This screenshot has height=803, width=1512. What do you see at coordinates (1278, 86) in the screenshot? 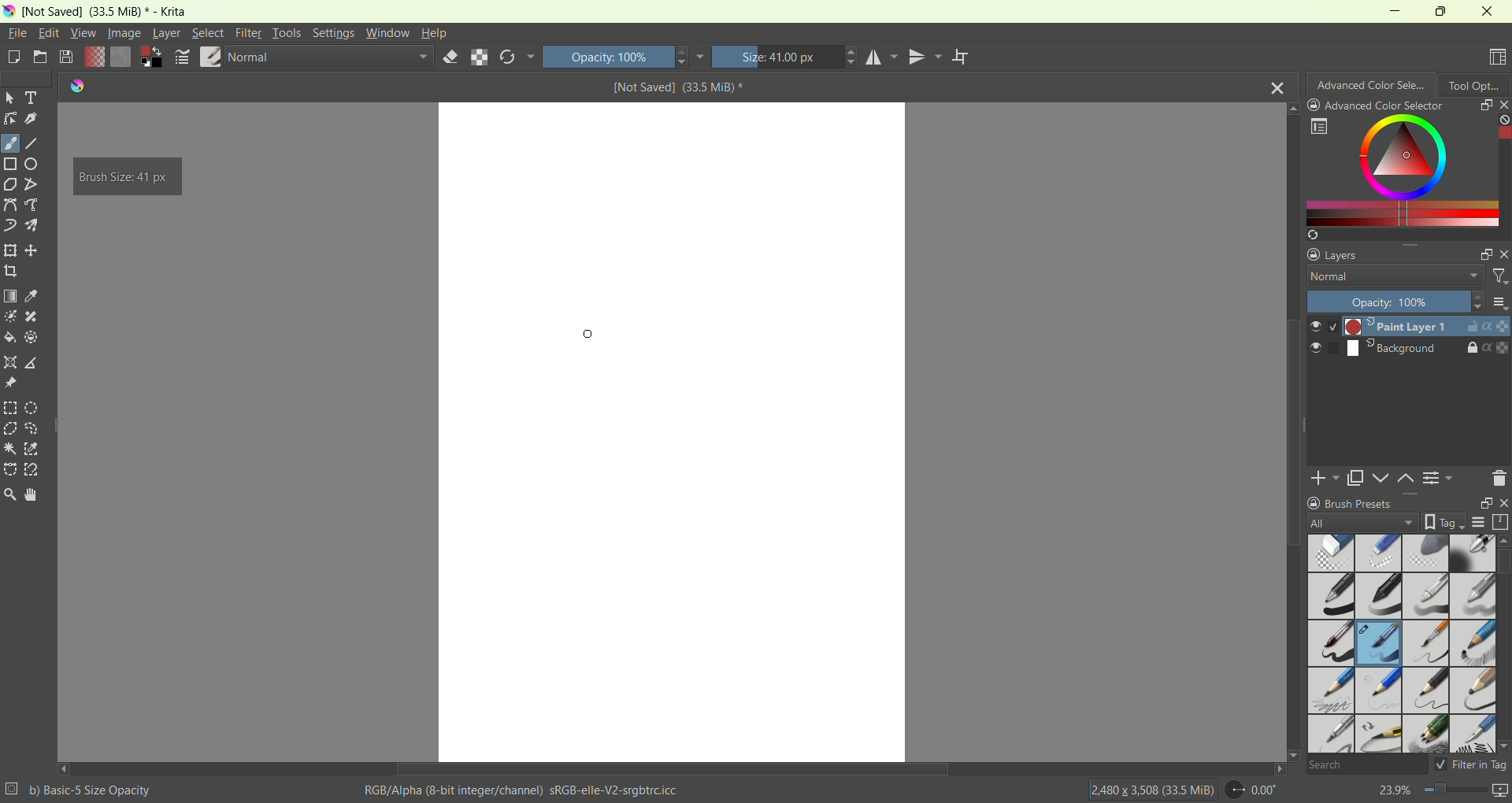
I see `close` at bounding box center [1278, 86].